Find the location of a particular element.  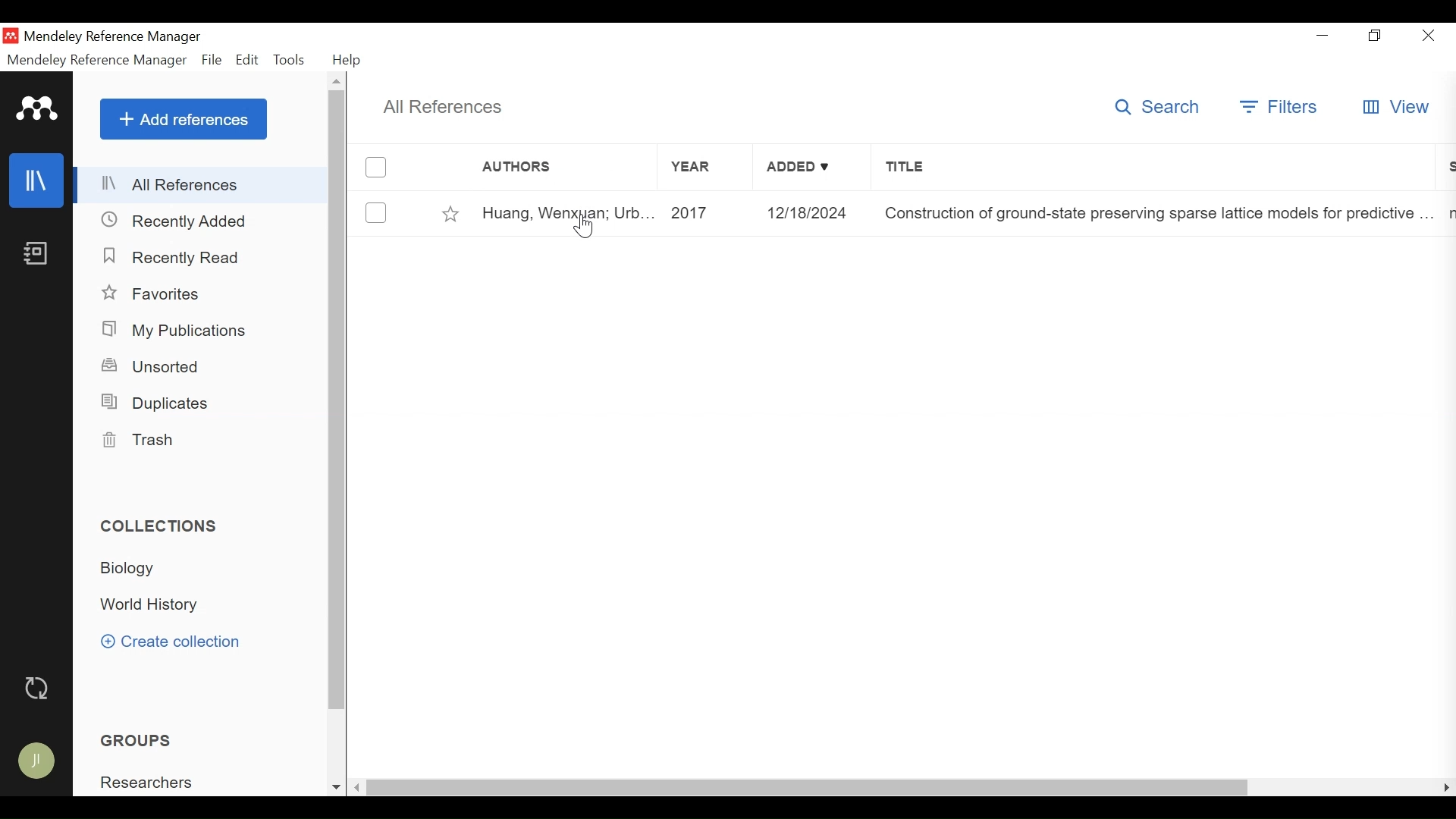

Collection is located at coordinates (157, 605).